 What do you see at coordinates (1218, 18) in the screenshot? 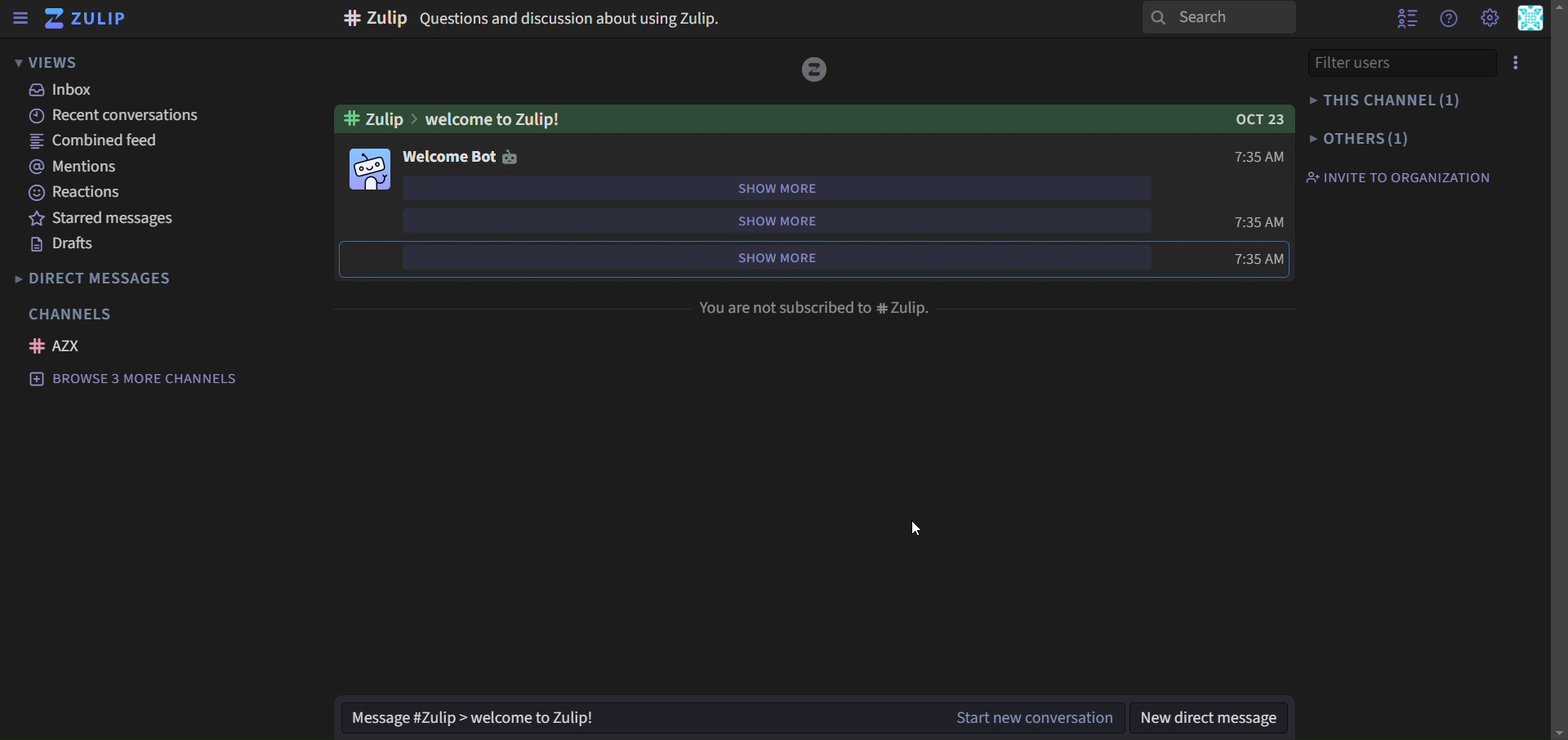
I see `search` at bounding box center [1218, 18].